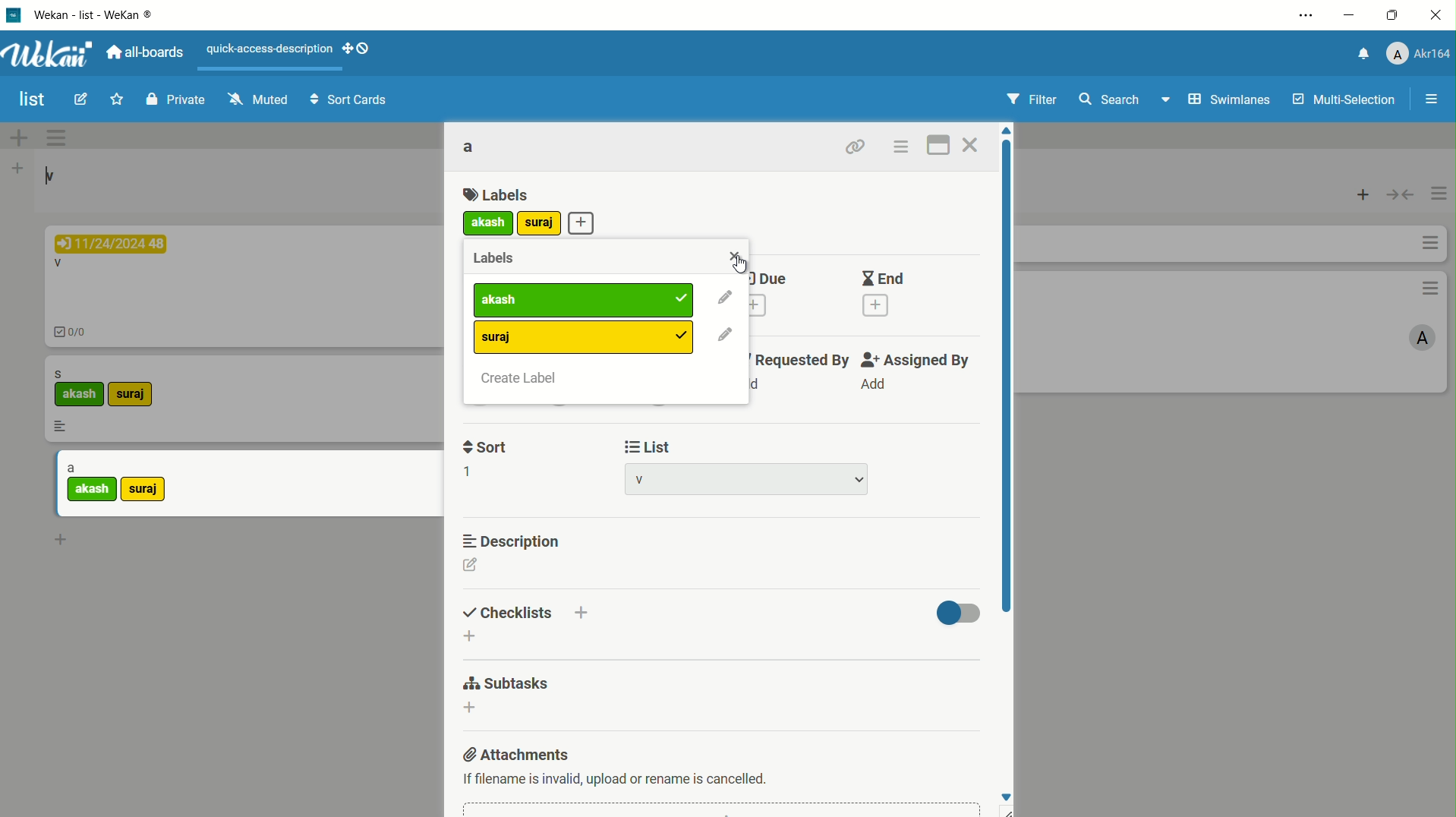  What do you see at coordinates (1437, 18) in the screenshot?
I see `close app` at bounding box center [1437, 18].